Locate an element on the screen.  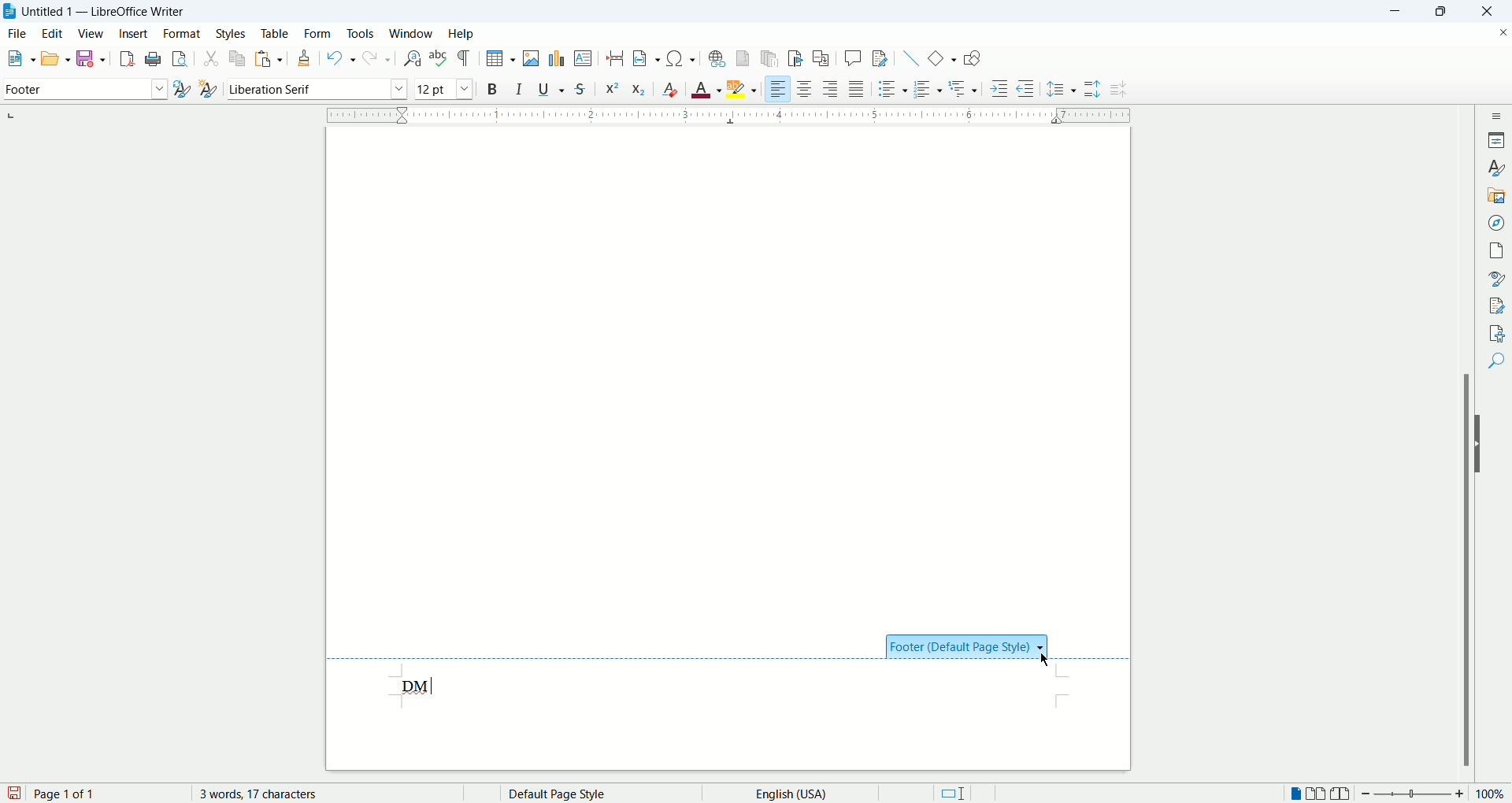
insert basic shapes is located at coordinates (943, 57).